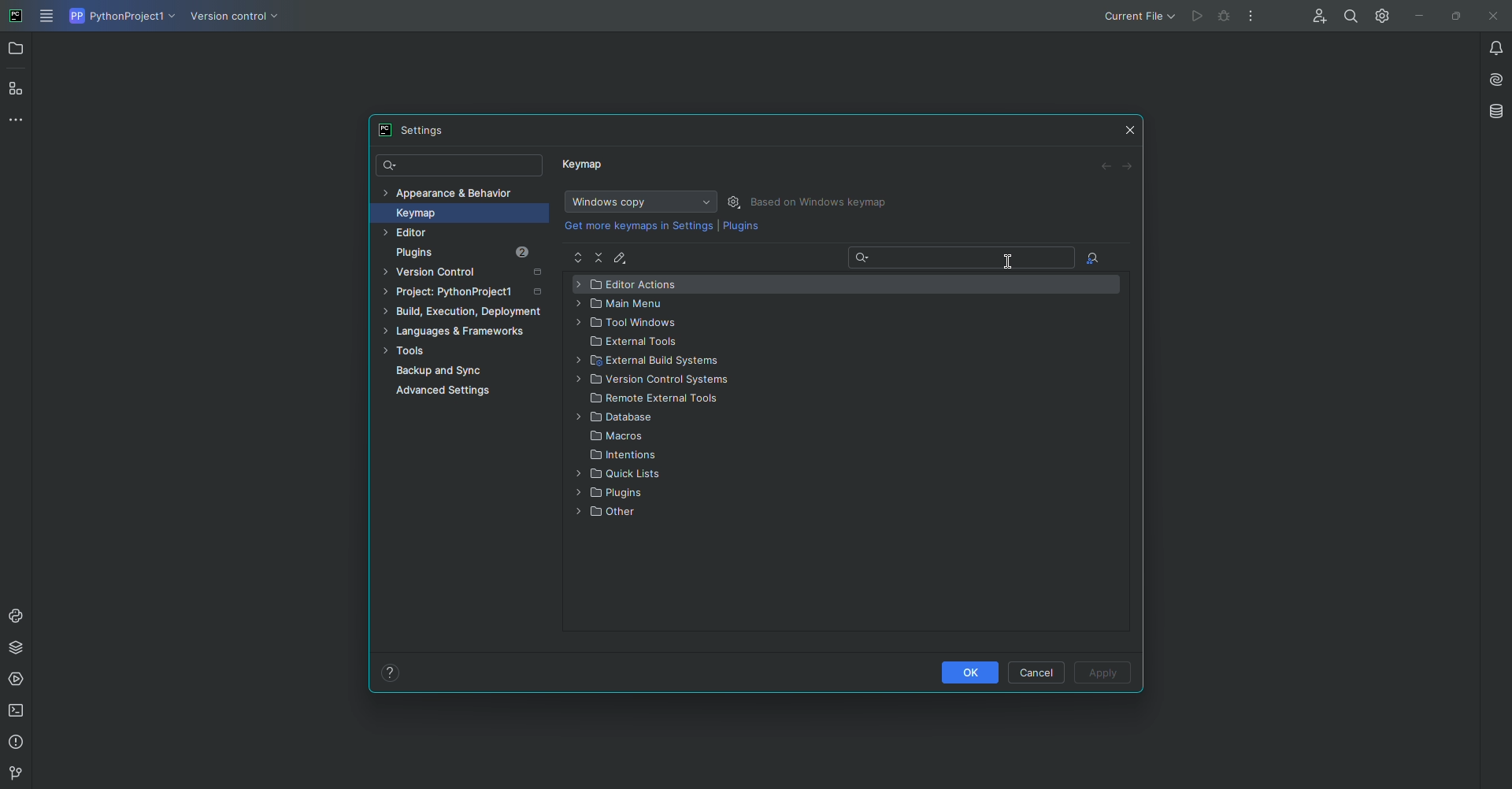  What do you see at coordinates (1254, 20) in the screenshot?
I see `More Options` at bounding box center [1254, 20].